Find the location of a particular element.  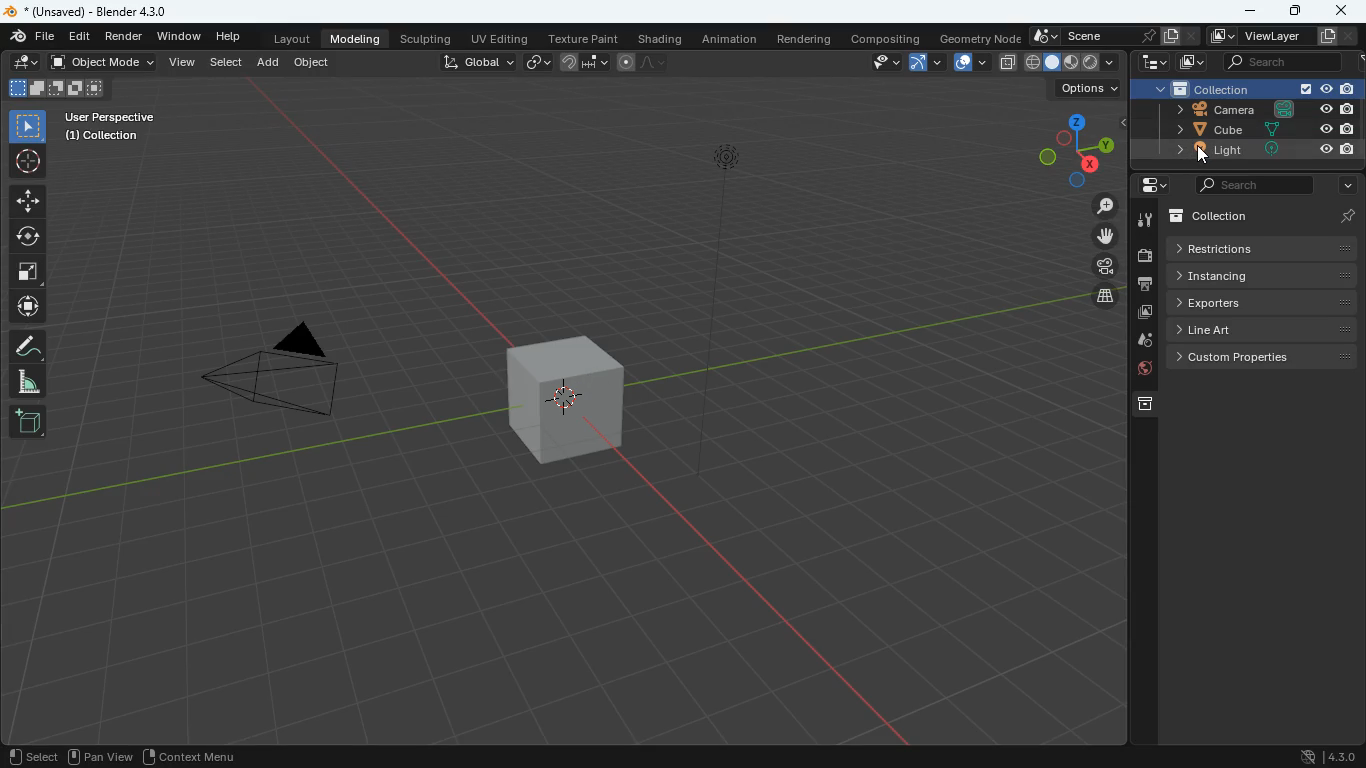

angle is located at coordinates (27, 382).